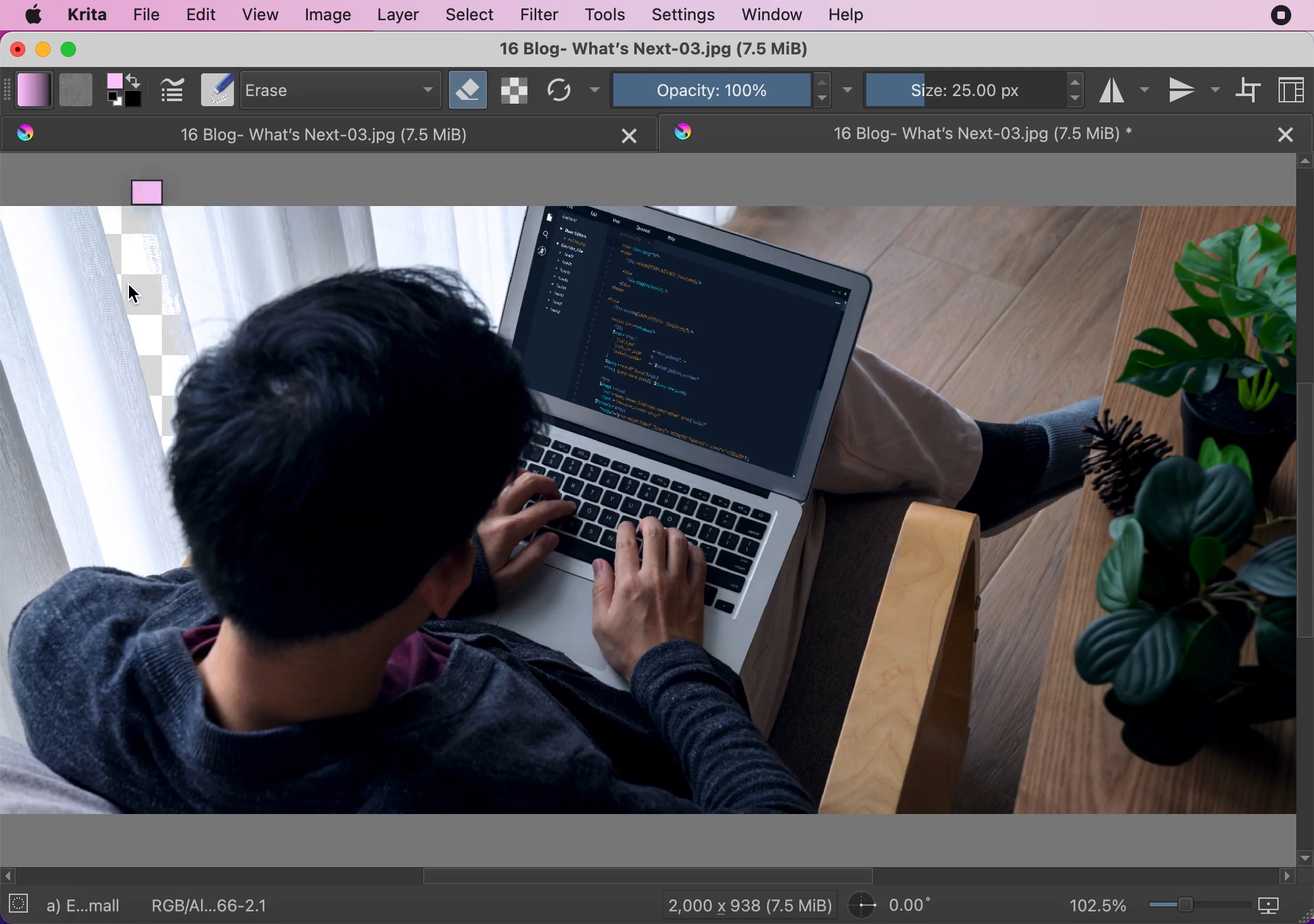 Image resolution: width=1314 pixels, height=924 pixels. What do you see at coordinates (126, 90) in the screenshot?
I see `foreground and background color selector` at bounding box center [126, 90].